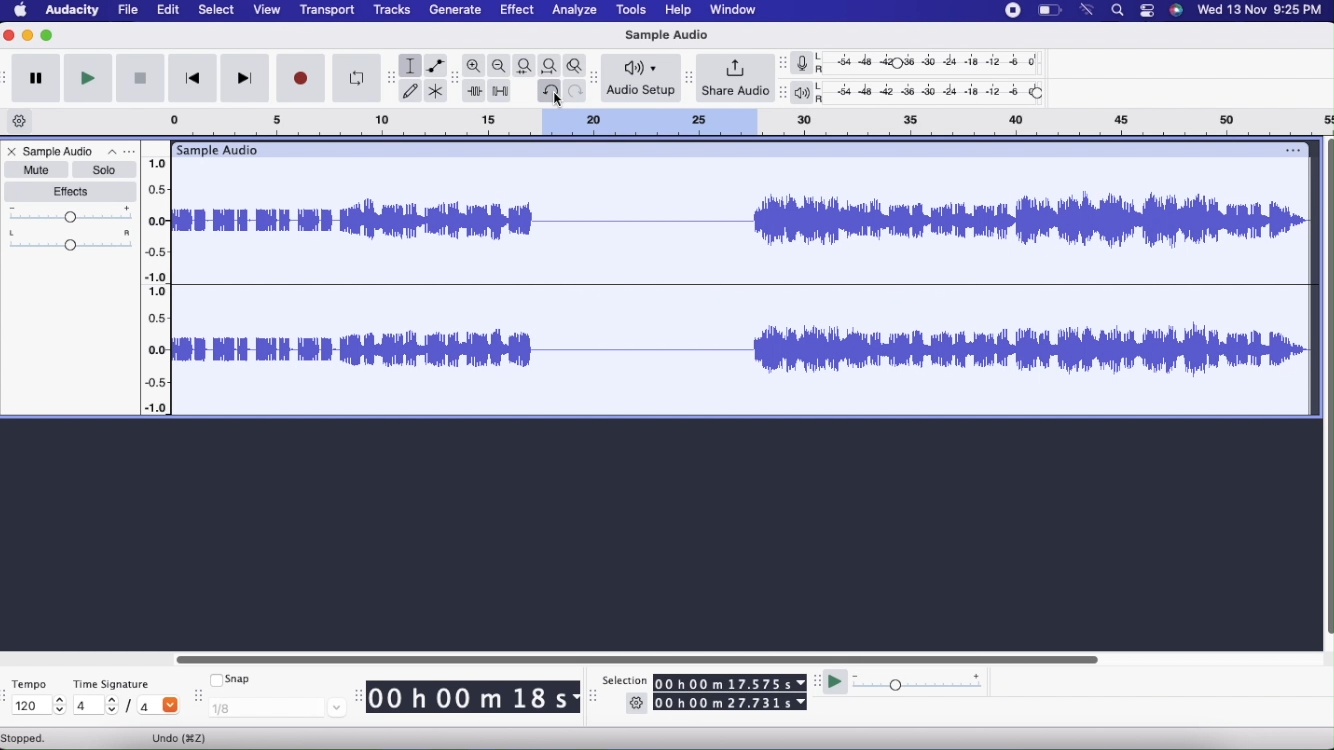 Image resolution: width=1334 pixels, height=750 pixels. I want to click on Gain slider, so click(69, 215).